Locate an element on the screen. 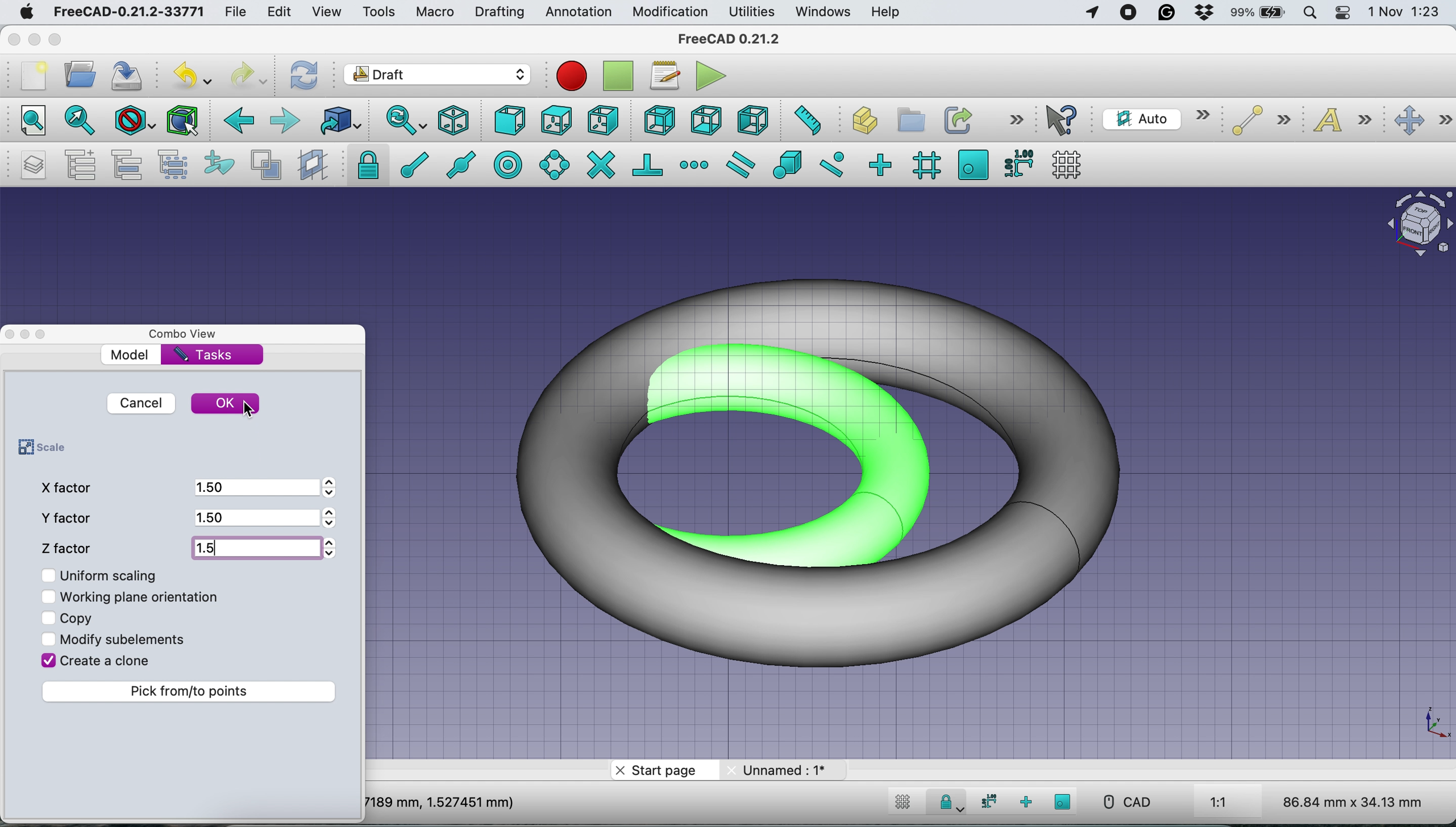  toggle normal/wireframe display is located at coordinates (265, 165).